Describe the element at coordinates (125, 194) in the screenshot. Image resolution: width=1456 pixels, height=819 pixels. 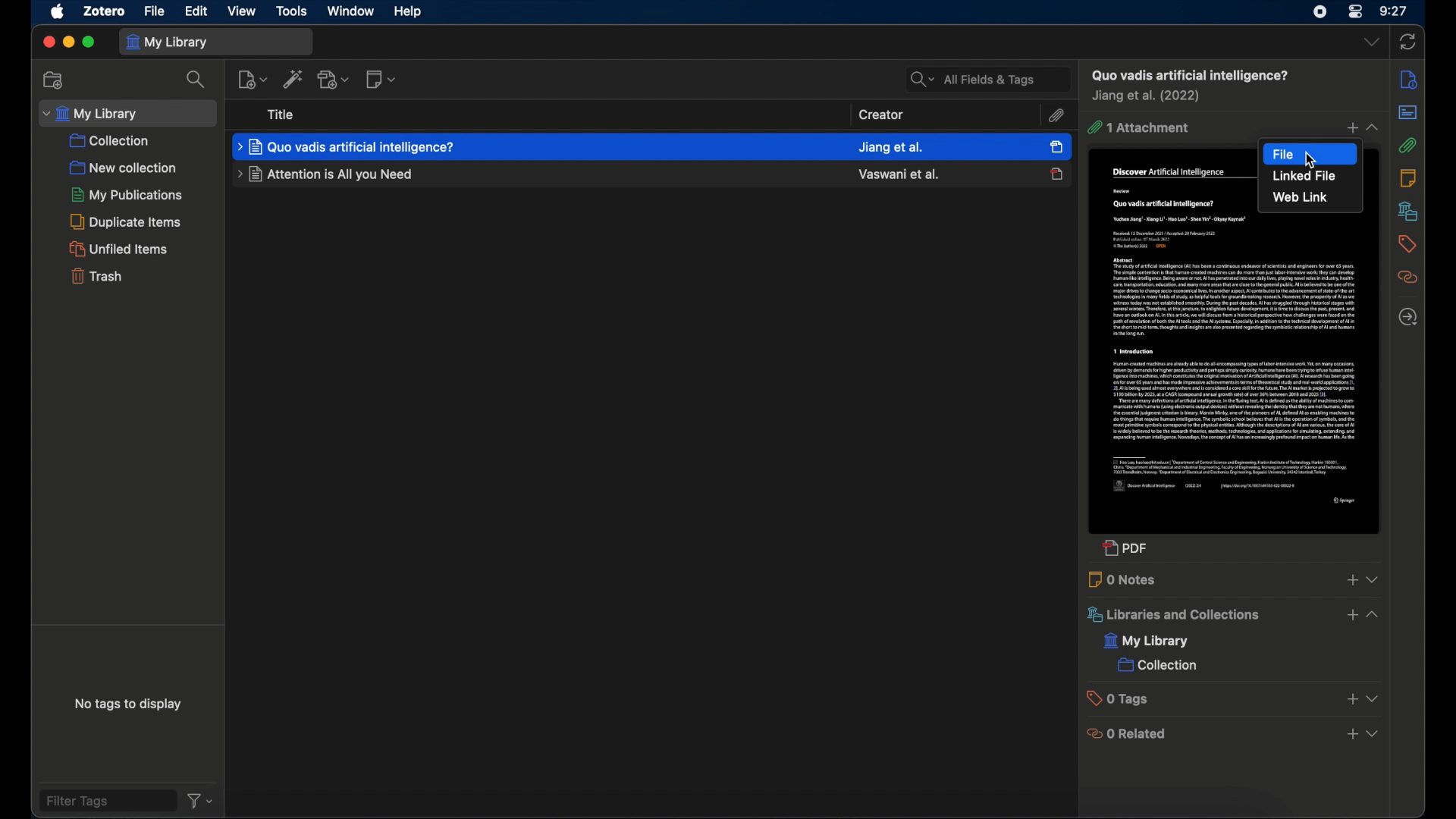
I see `my publications` at that location.